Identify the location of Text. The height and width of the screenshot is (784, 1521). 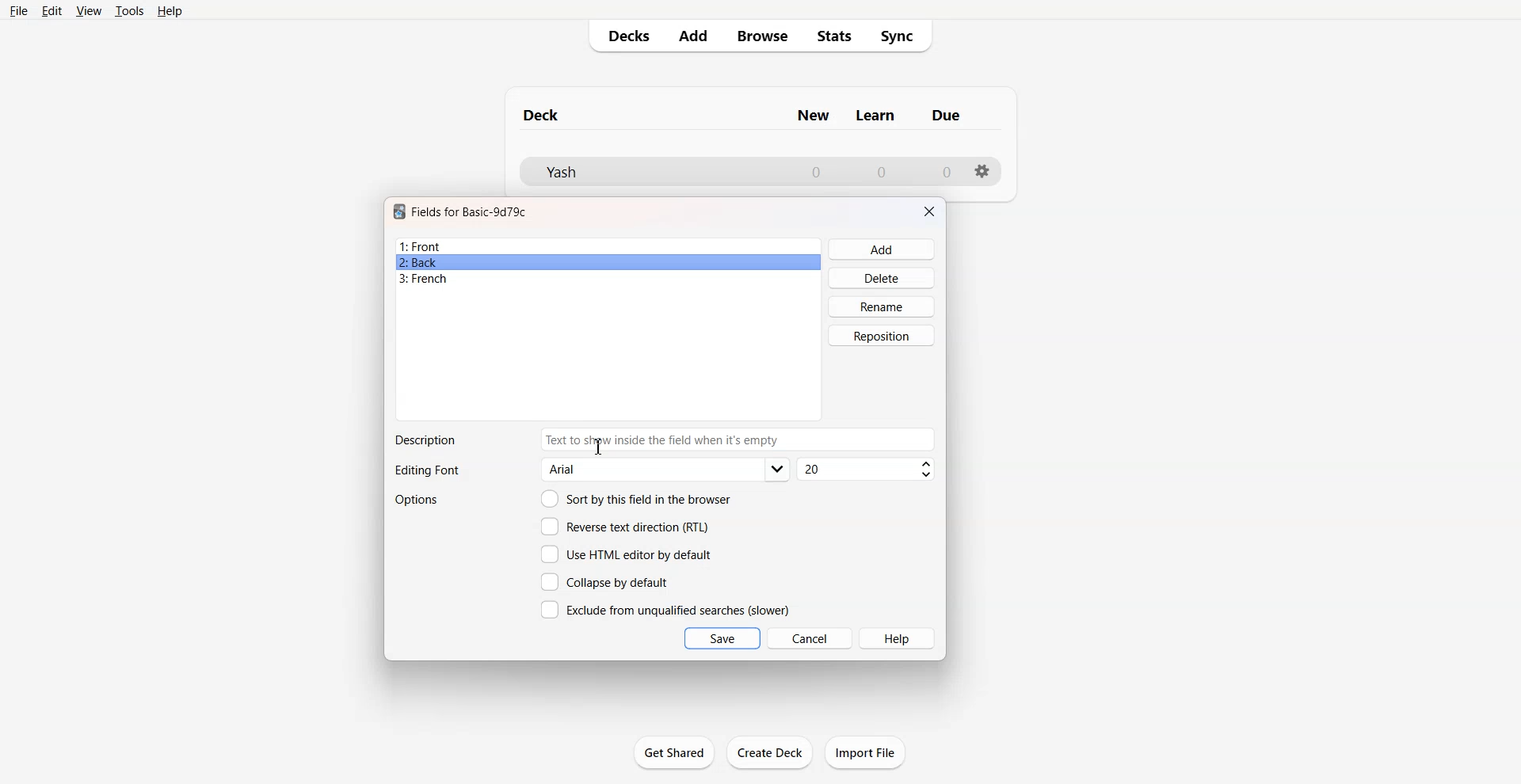
(425, 440).